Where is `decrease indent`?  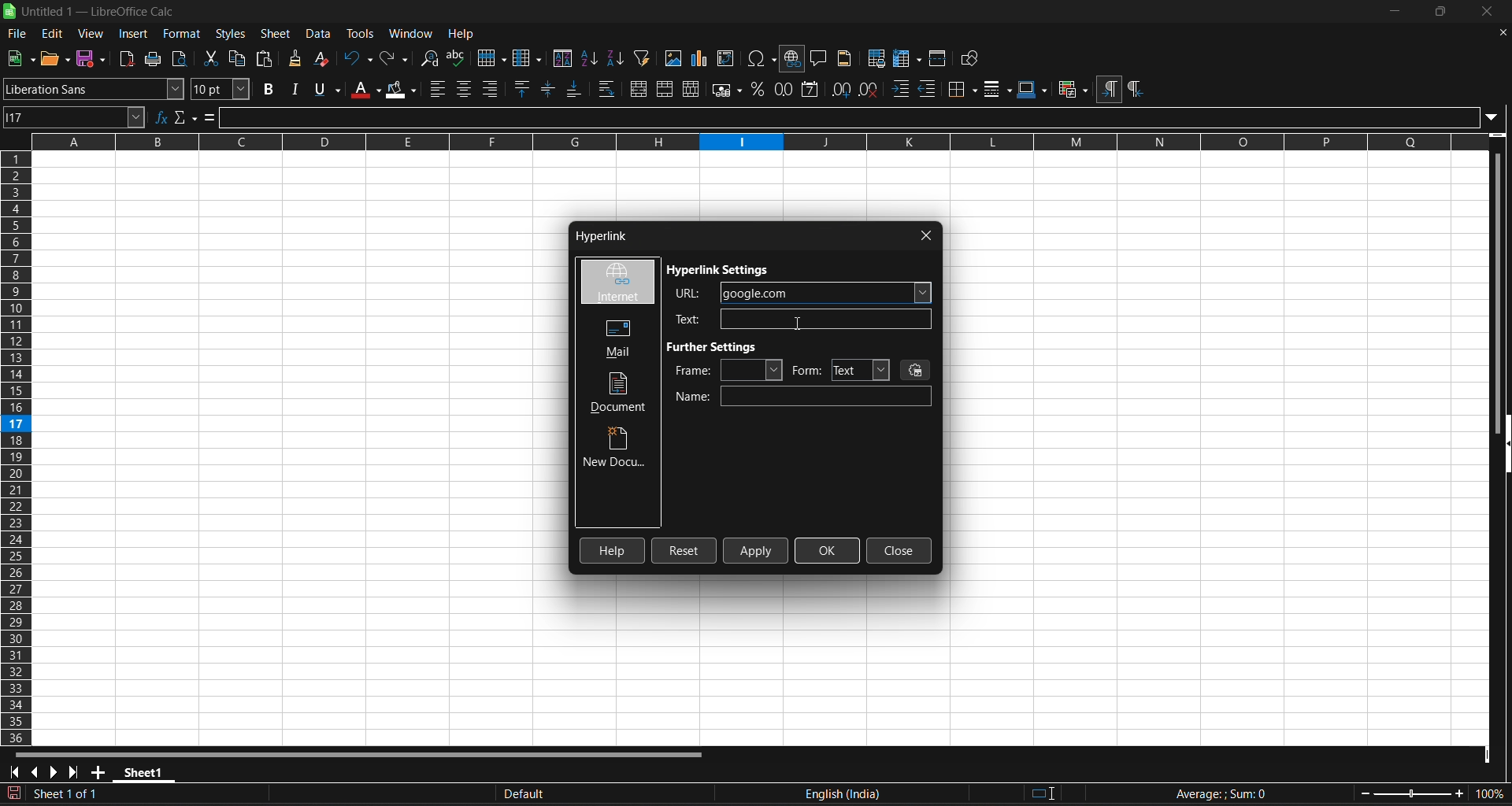
decrease indent is located at coordinates (929, 90).